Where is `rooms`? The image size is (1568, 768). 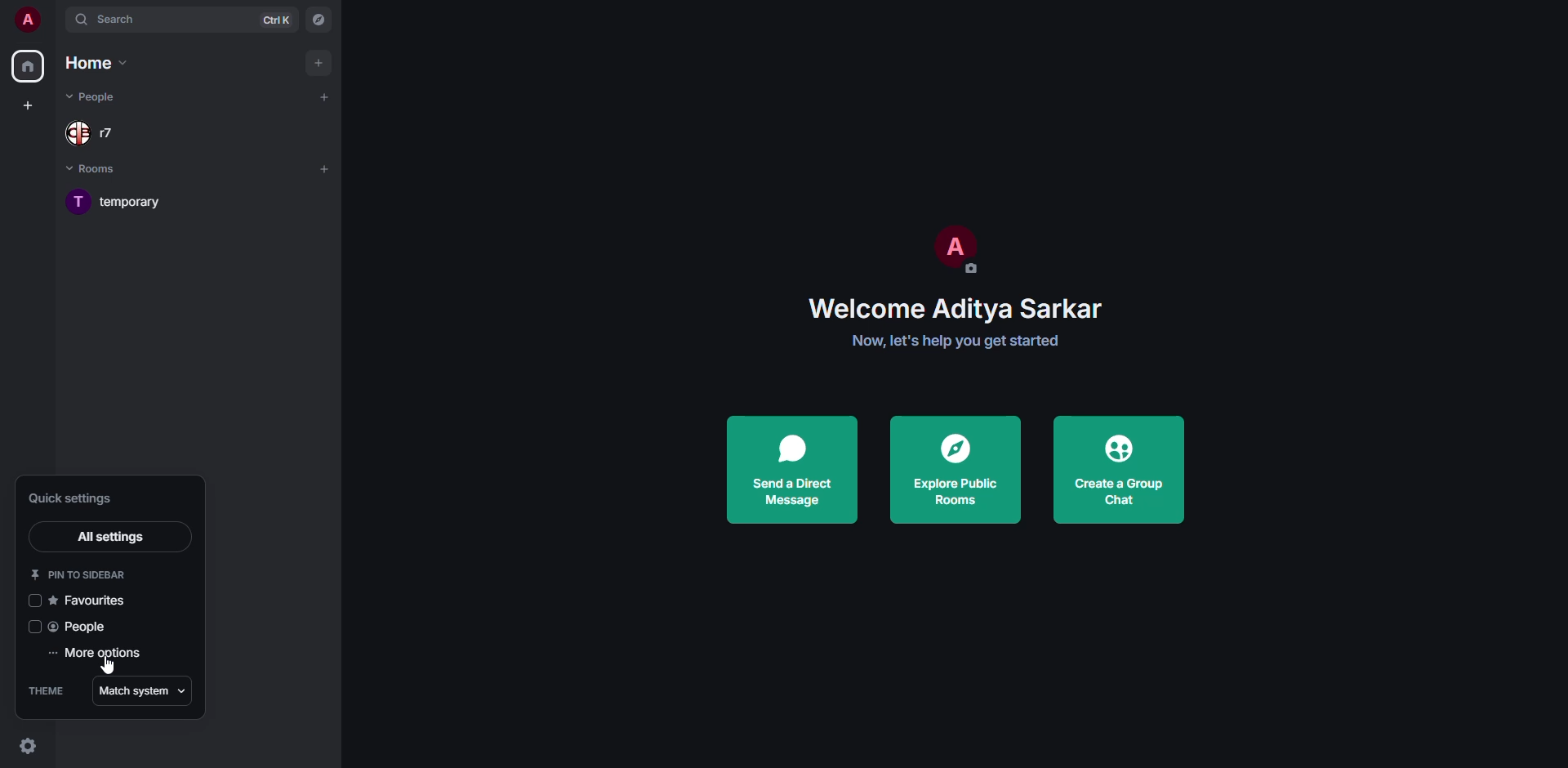
rooms is located at coordinates (101, 171).